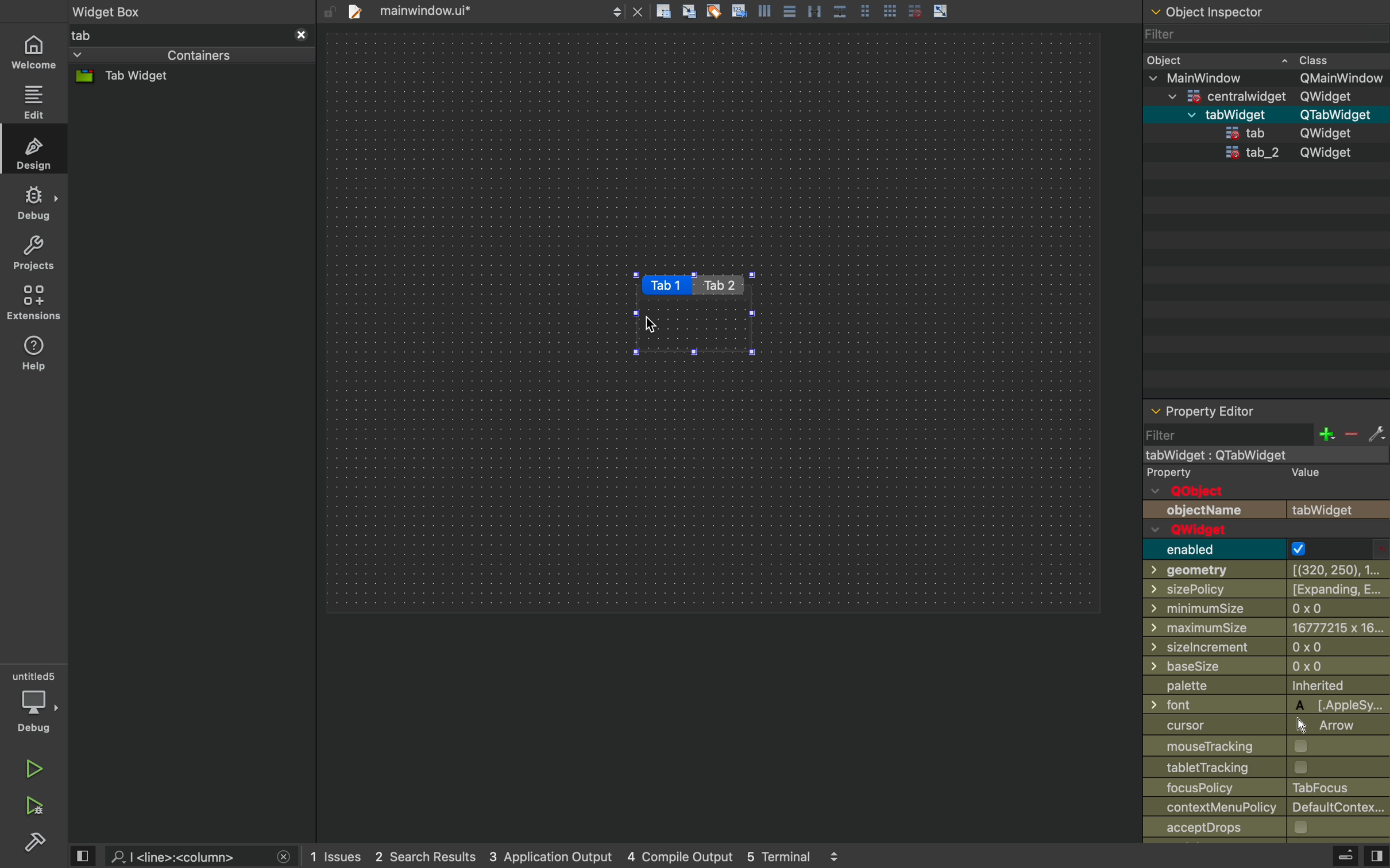  Describe the element at coordinates (1253, 34) in the screenshot. I see `filter` at that location.